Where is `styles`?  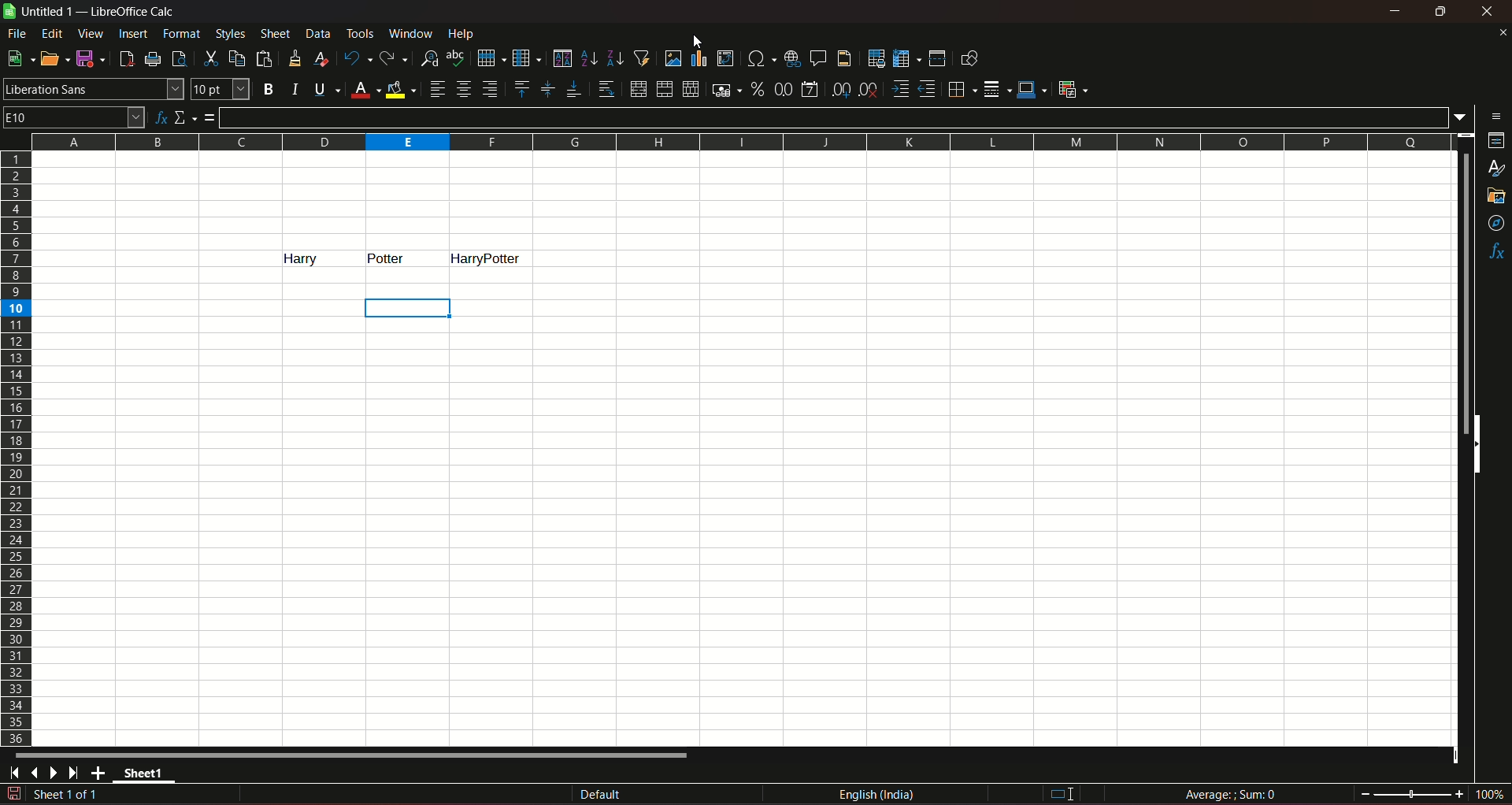
styles is located at coordinates (229, 33).